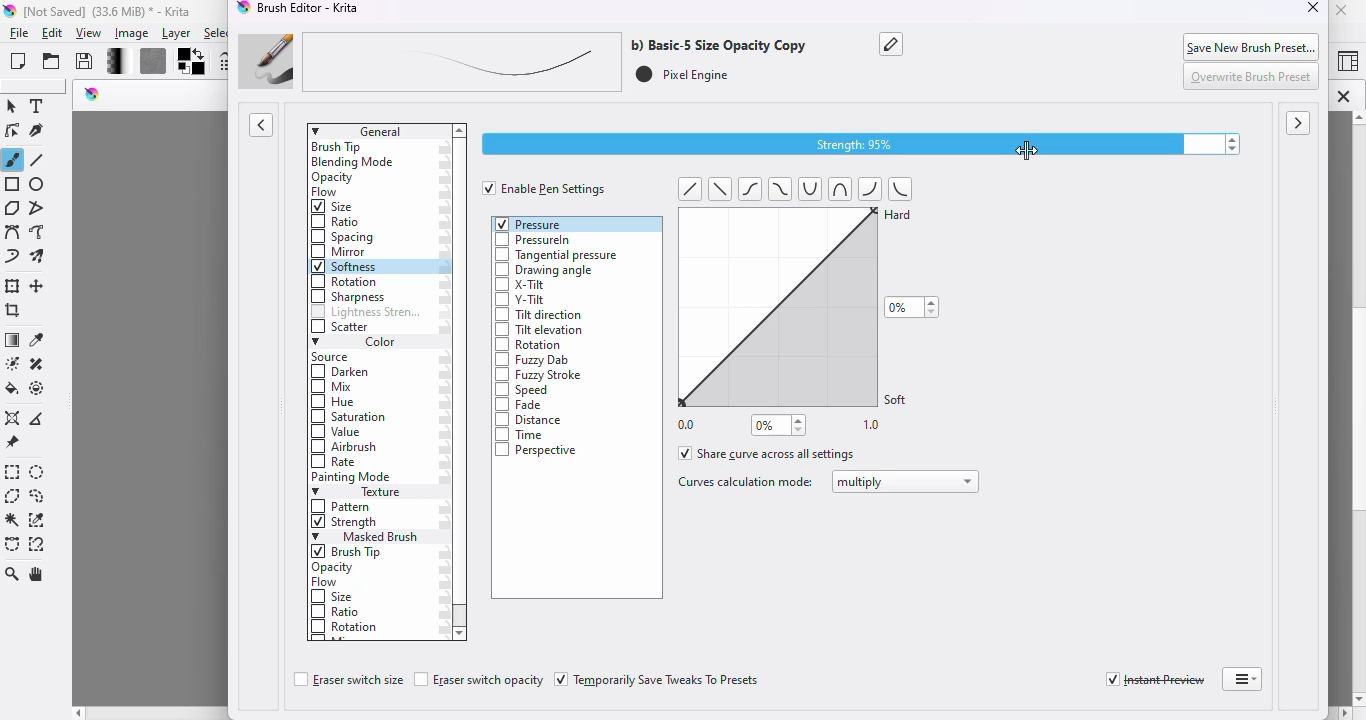 The width and height of the screenshot is (1366, 720). Describe the element at coordinates (38, 185) in the screenshot. I see `ellipse tool` at that location.